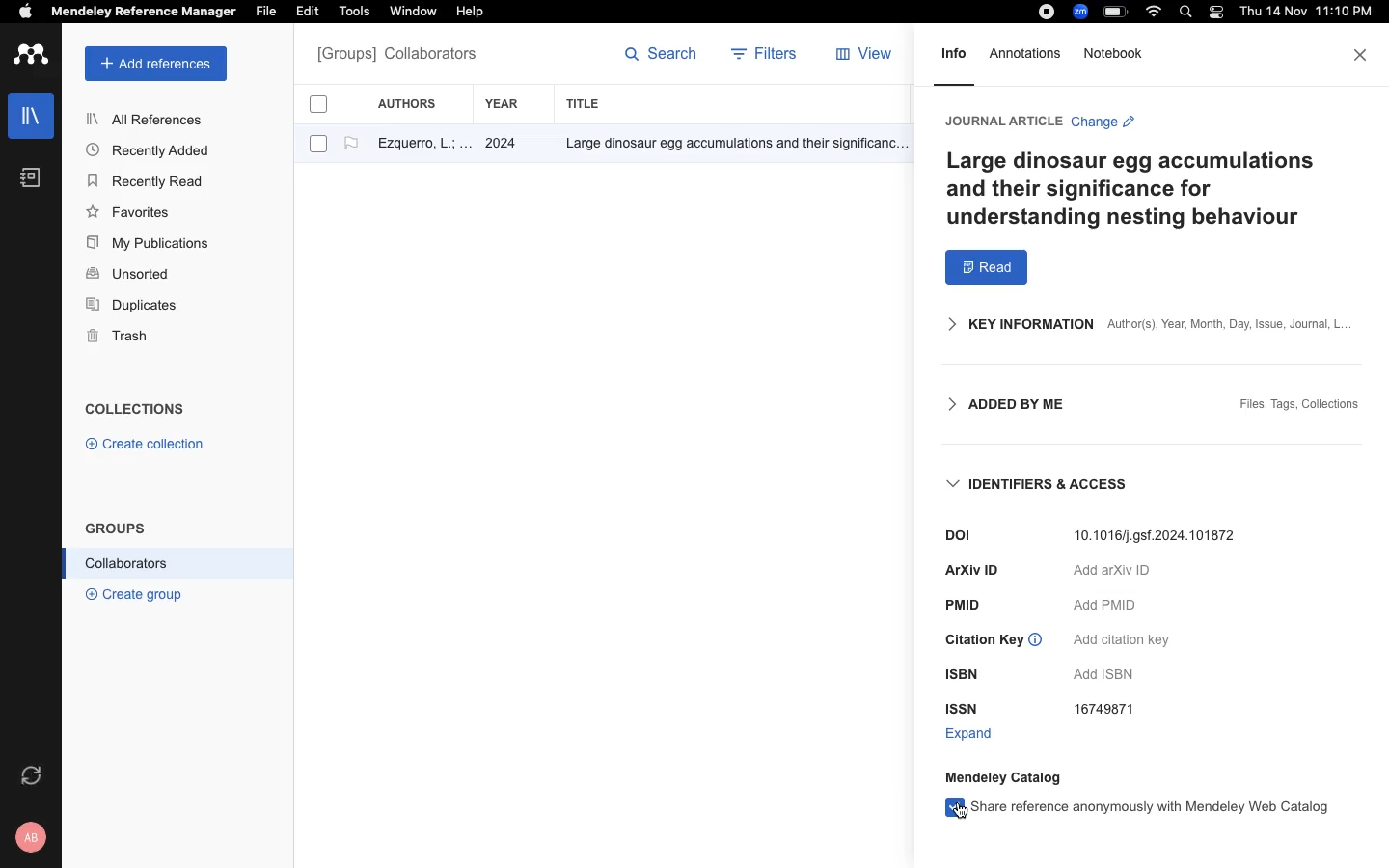  What do you see at coordinates (728, 145) in the screenshot?
I see `` at bounding box center [728, 145].